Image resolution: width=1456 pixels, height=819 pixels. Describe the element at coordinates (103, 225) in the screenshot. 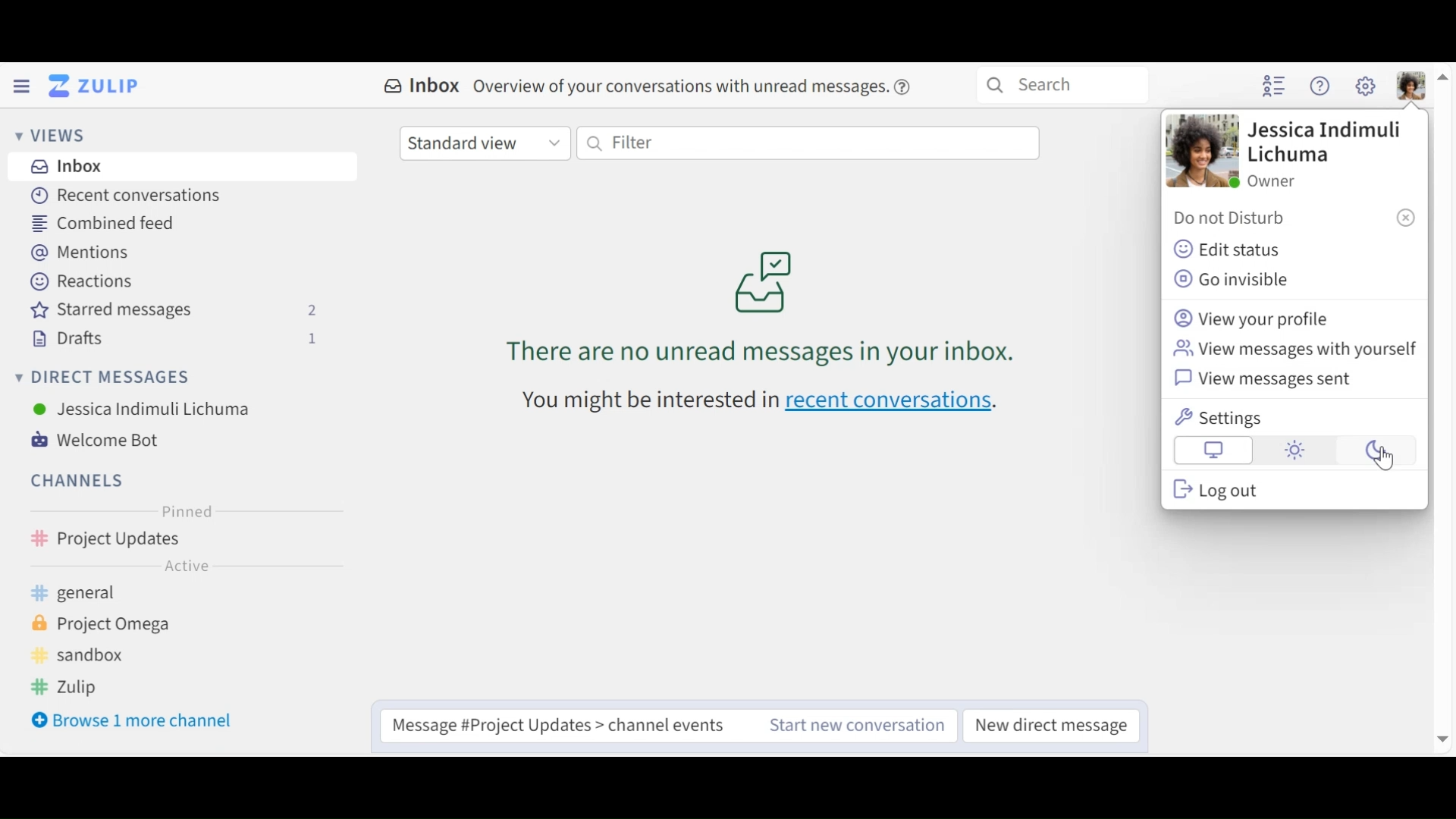

I see `Combined Feed` at that location.